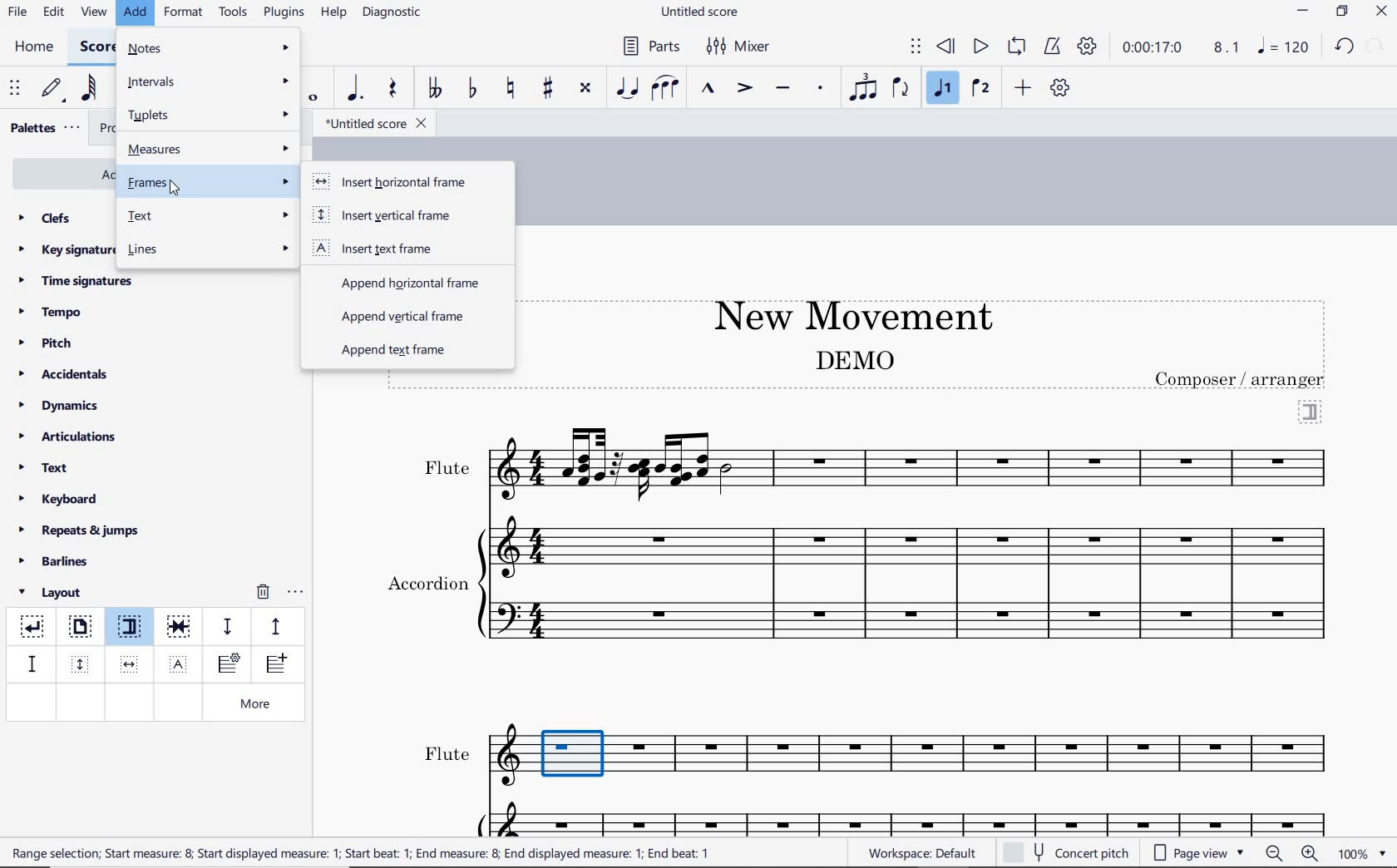 This screenshot has width=1397, height=868. Describe the element at coordinates (229, 664) in the screenshot. I see `insert staff type change` at that location.